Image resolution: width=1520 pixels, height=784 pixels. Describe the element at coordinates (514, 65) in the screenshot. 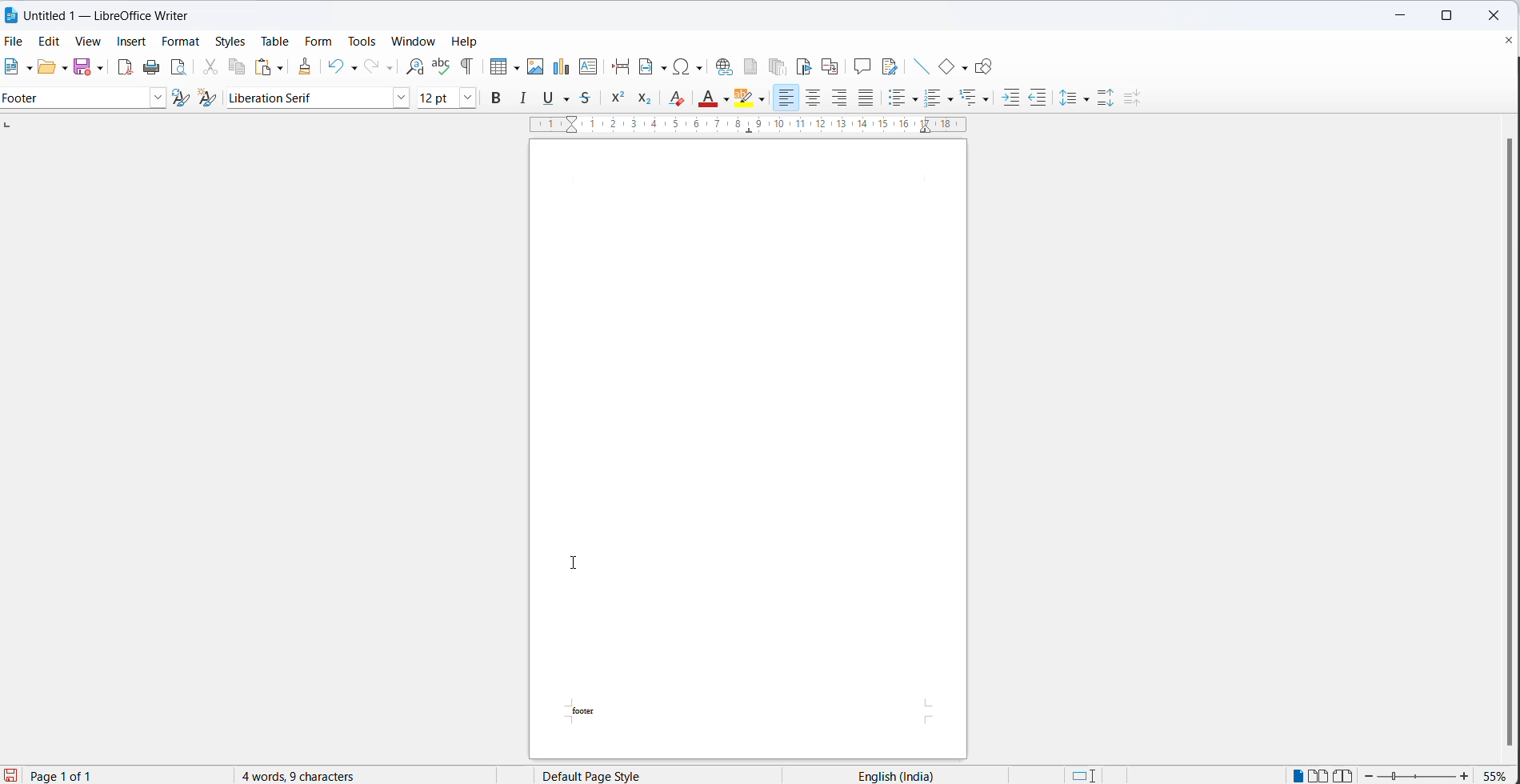

I see `table grid` at that location.